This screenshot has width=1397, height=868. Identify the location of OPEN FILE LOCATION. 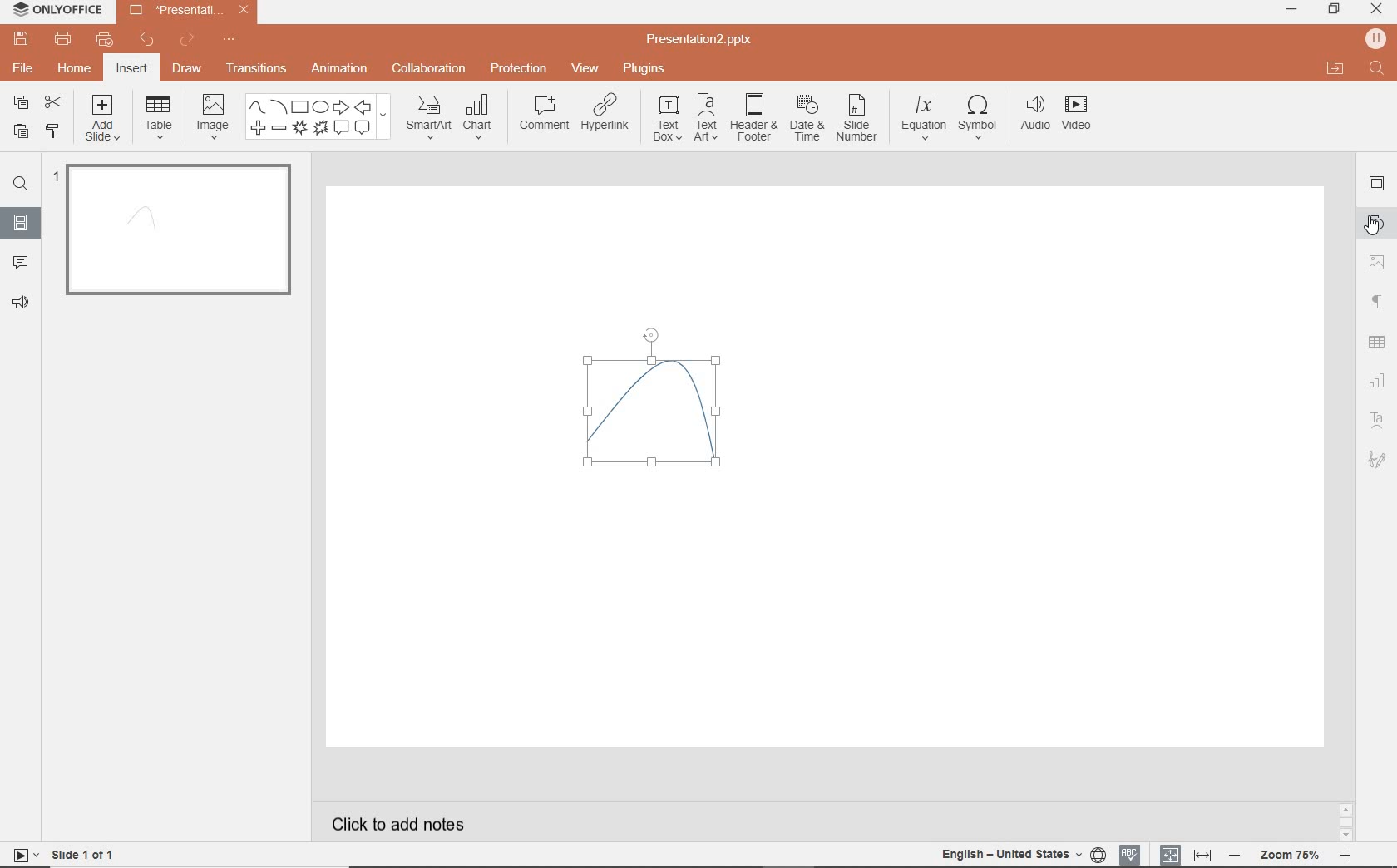
(1335, 69).